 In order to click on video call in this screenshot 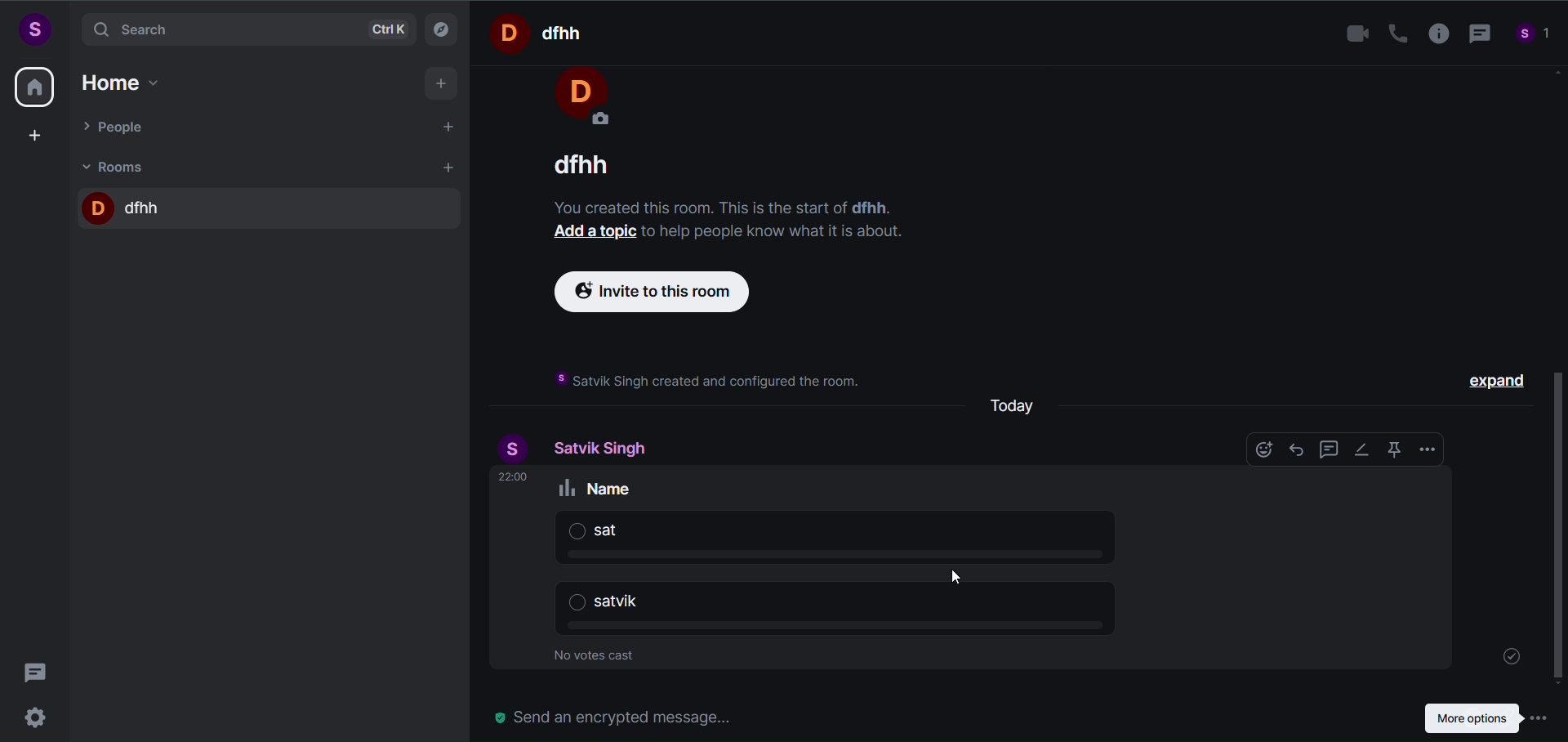, I will do `click(1353, 34)`.